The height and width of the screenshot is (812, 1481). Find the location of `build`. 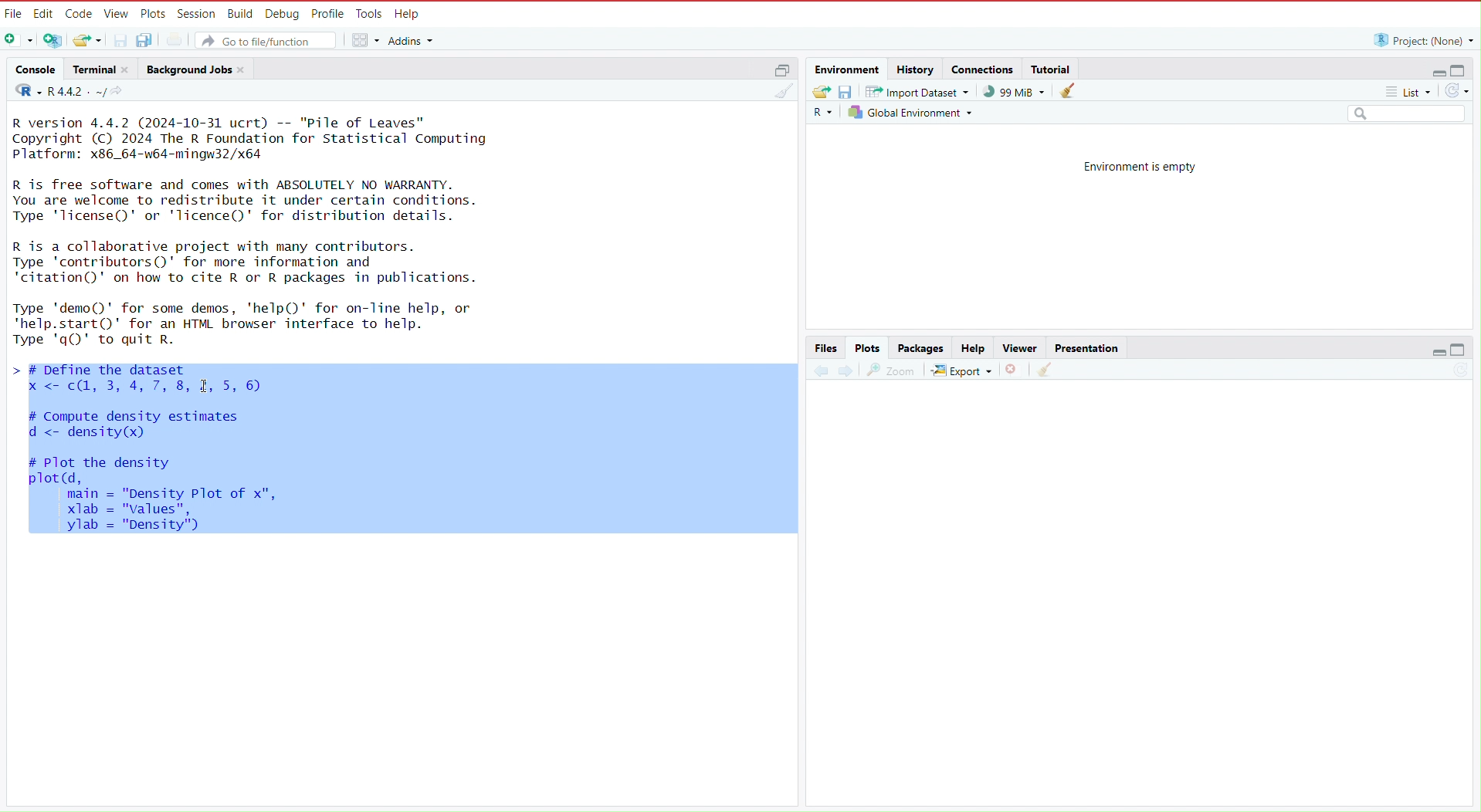

build is located at coordinates (239, 12).